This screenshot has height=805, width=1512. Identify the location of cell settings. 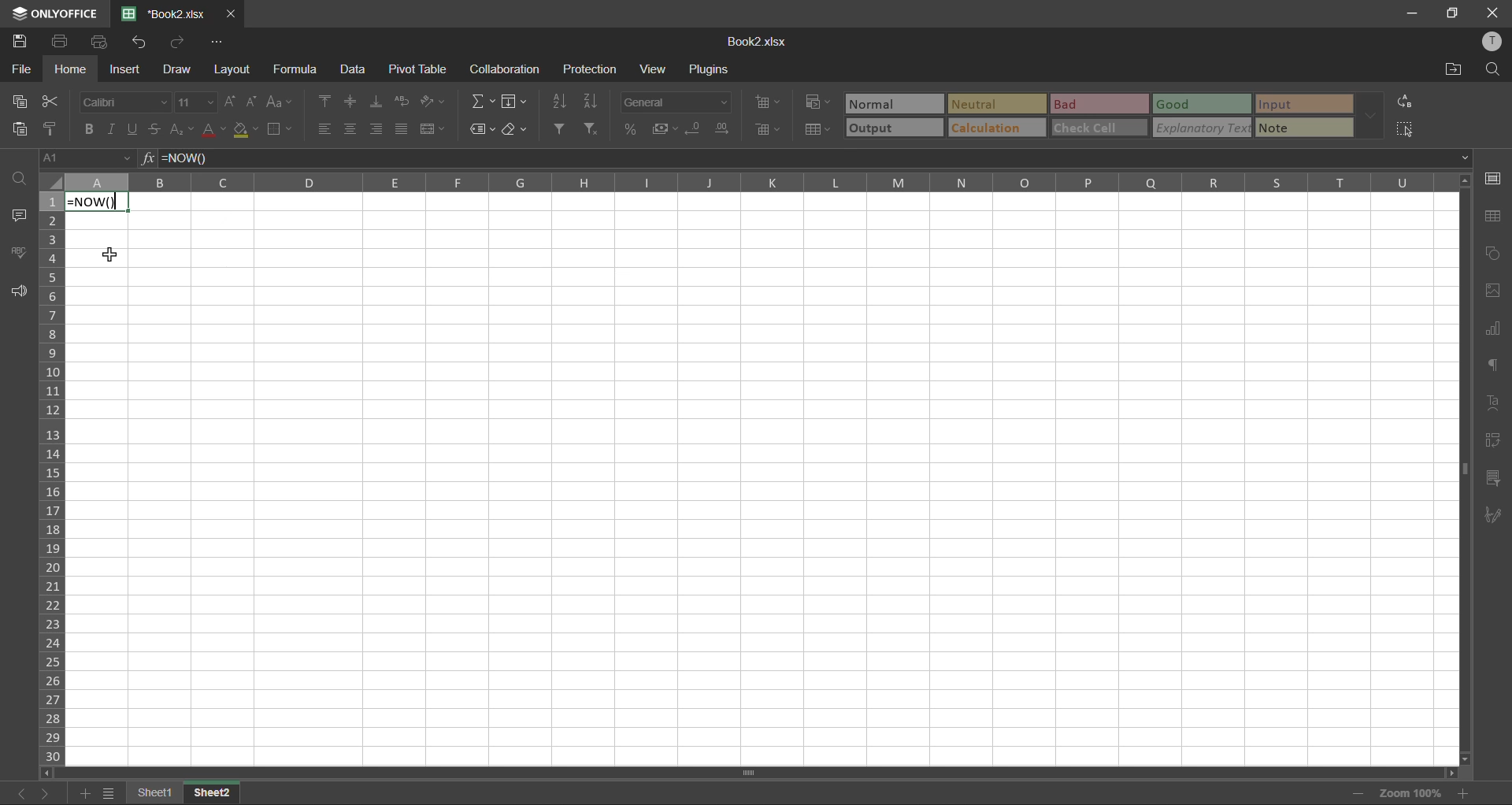
(1495, 178).